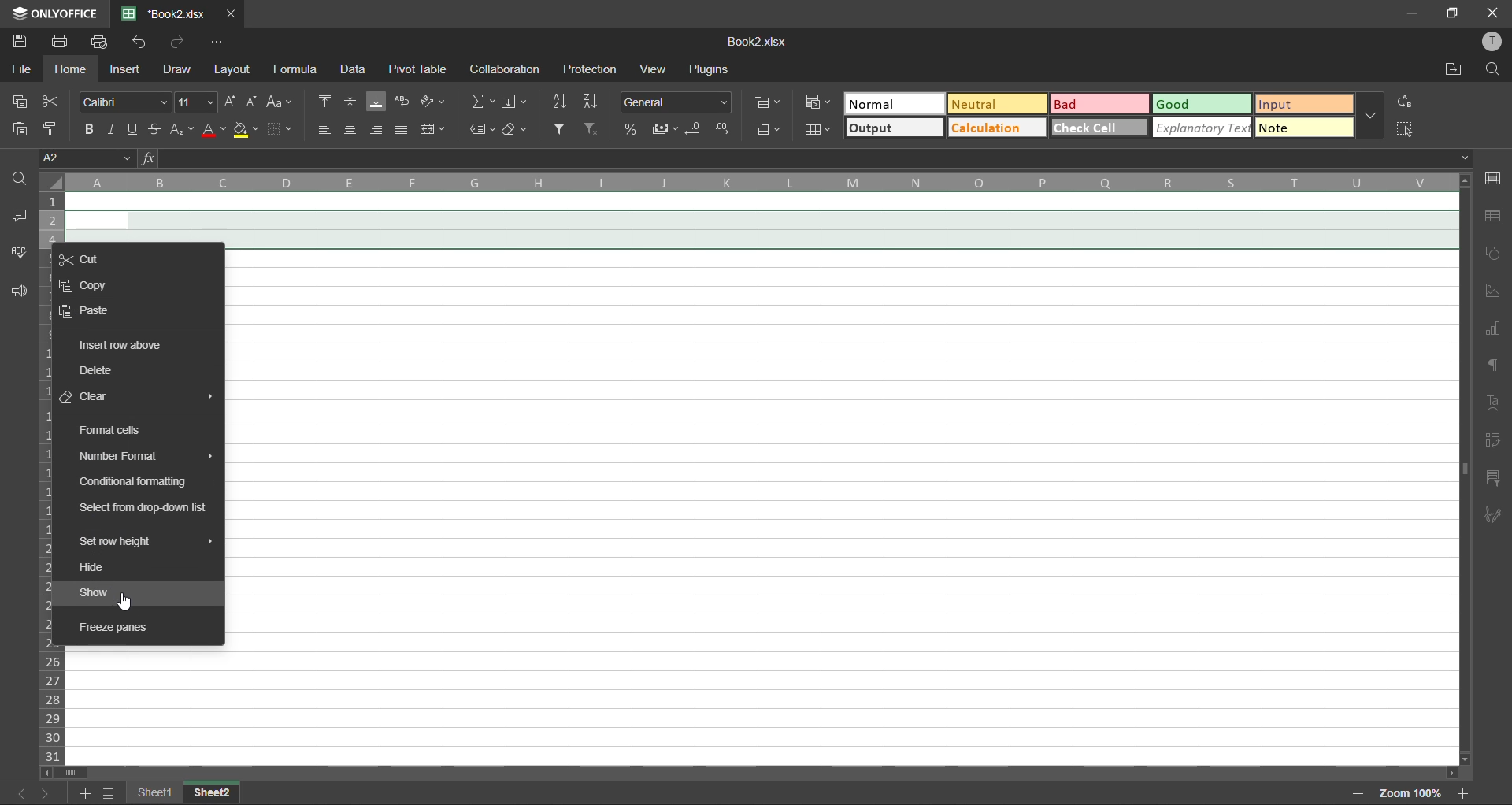  Describe the element at coordinates (1492, 440) in the screenshot. I see `pivot table` at that location.